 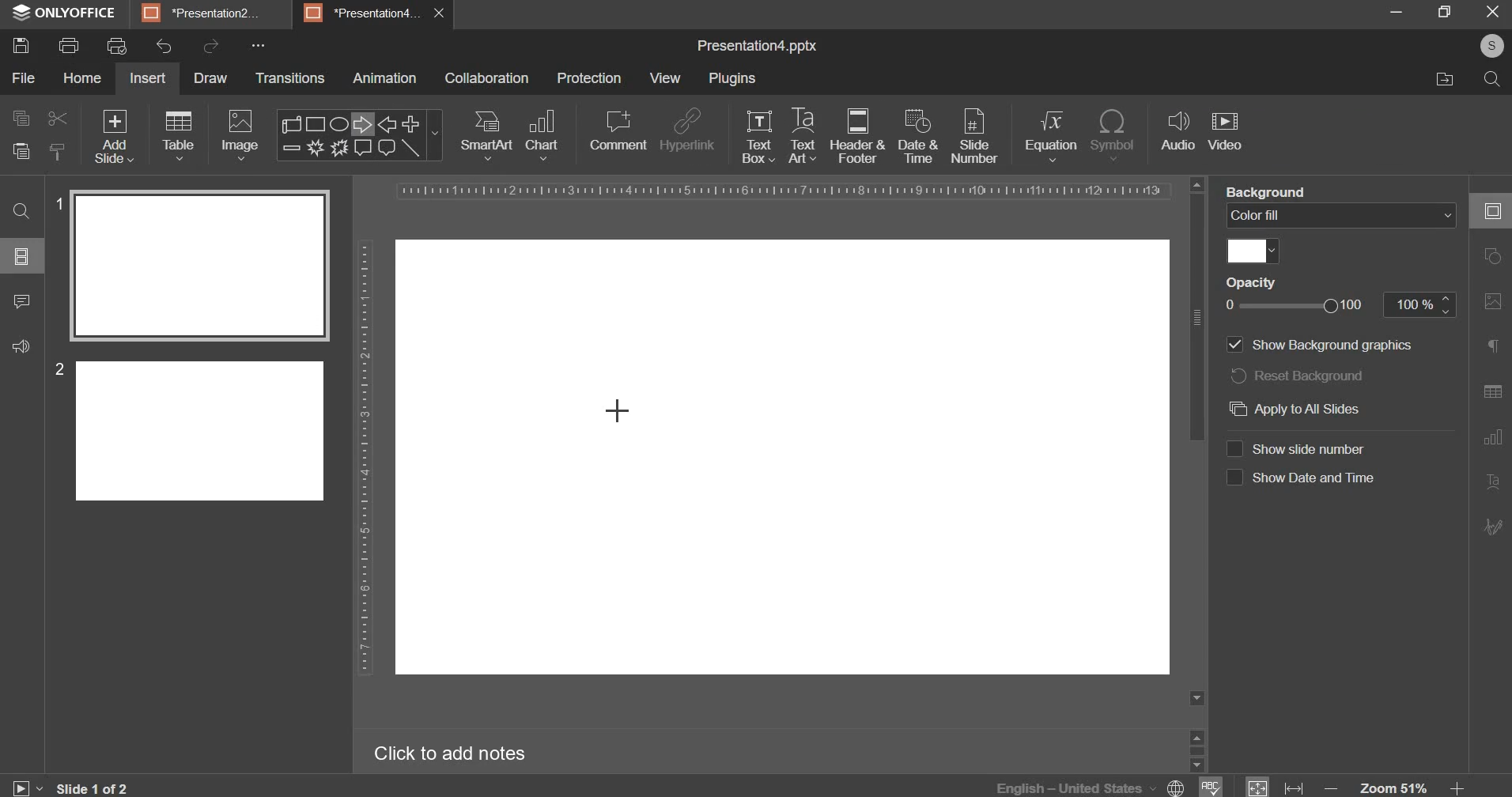 What do you see at coordinates (148, 78) in the screenshot?
I see `insert` at bounding box center [148, 78].